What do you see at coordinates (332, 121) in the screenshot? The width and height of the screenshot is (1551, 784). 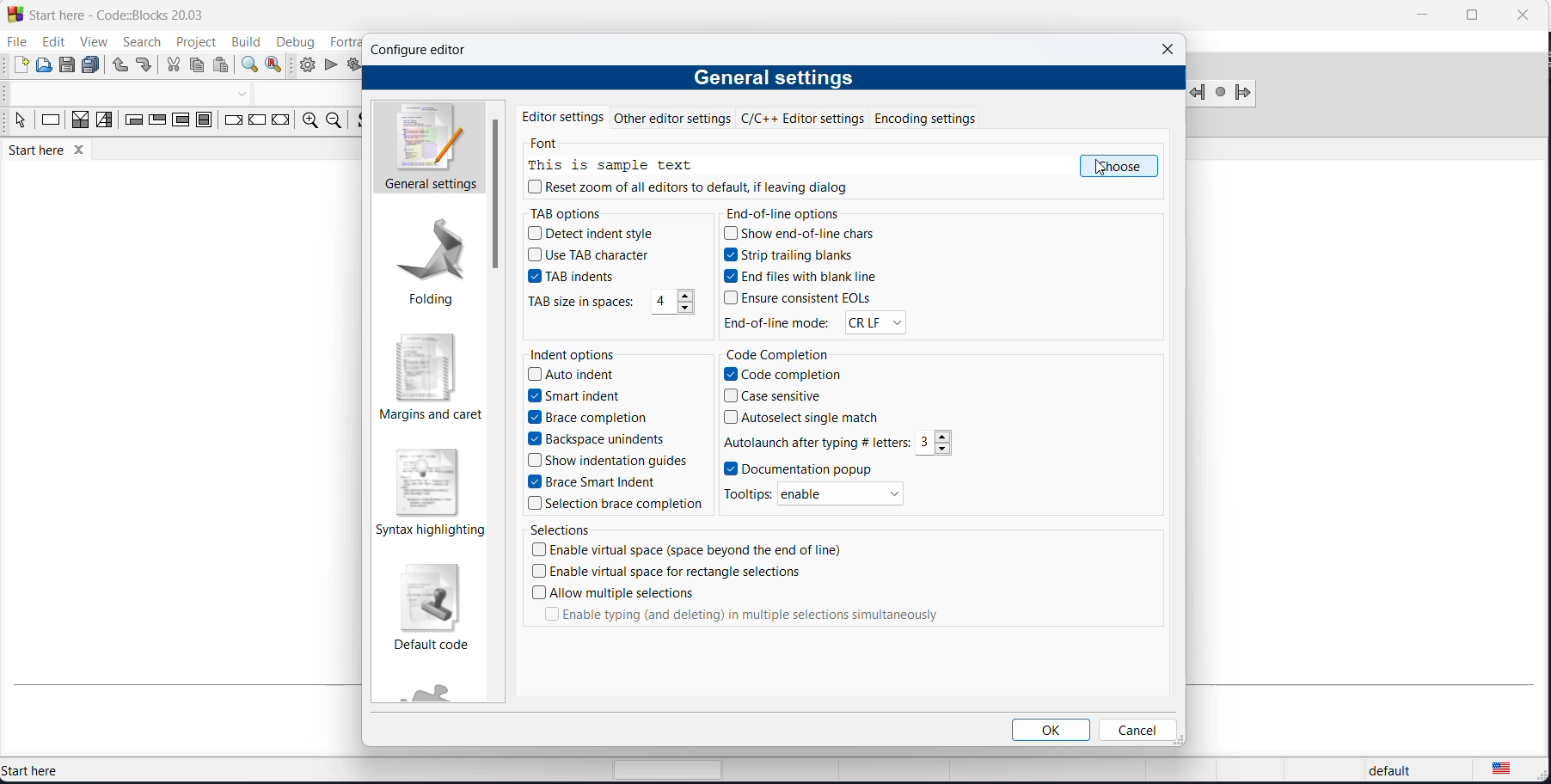 I see `zoom out` at bounding box center [332, 121].